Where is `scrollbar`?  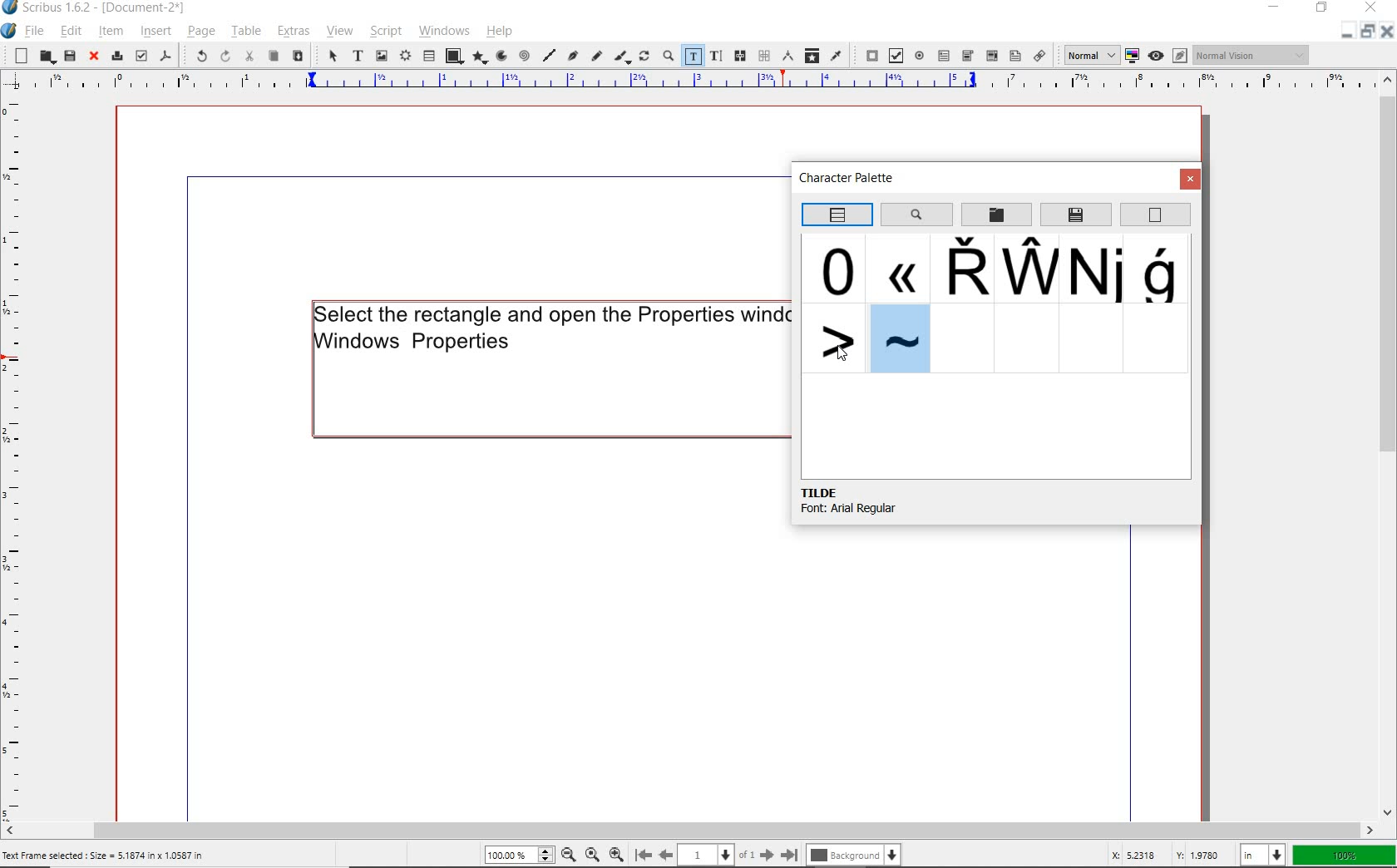 scrollbar is located at coordinates (1389, 446).